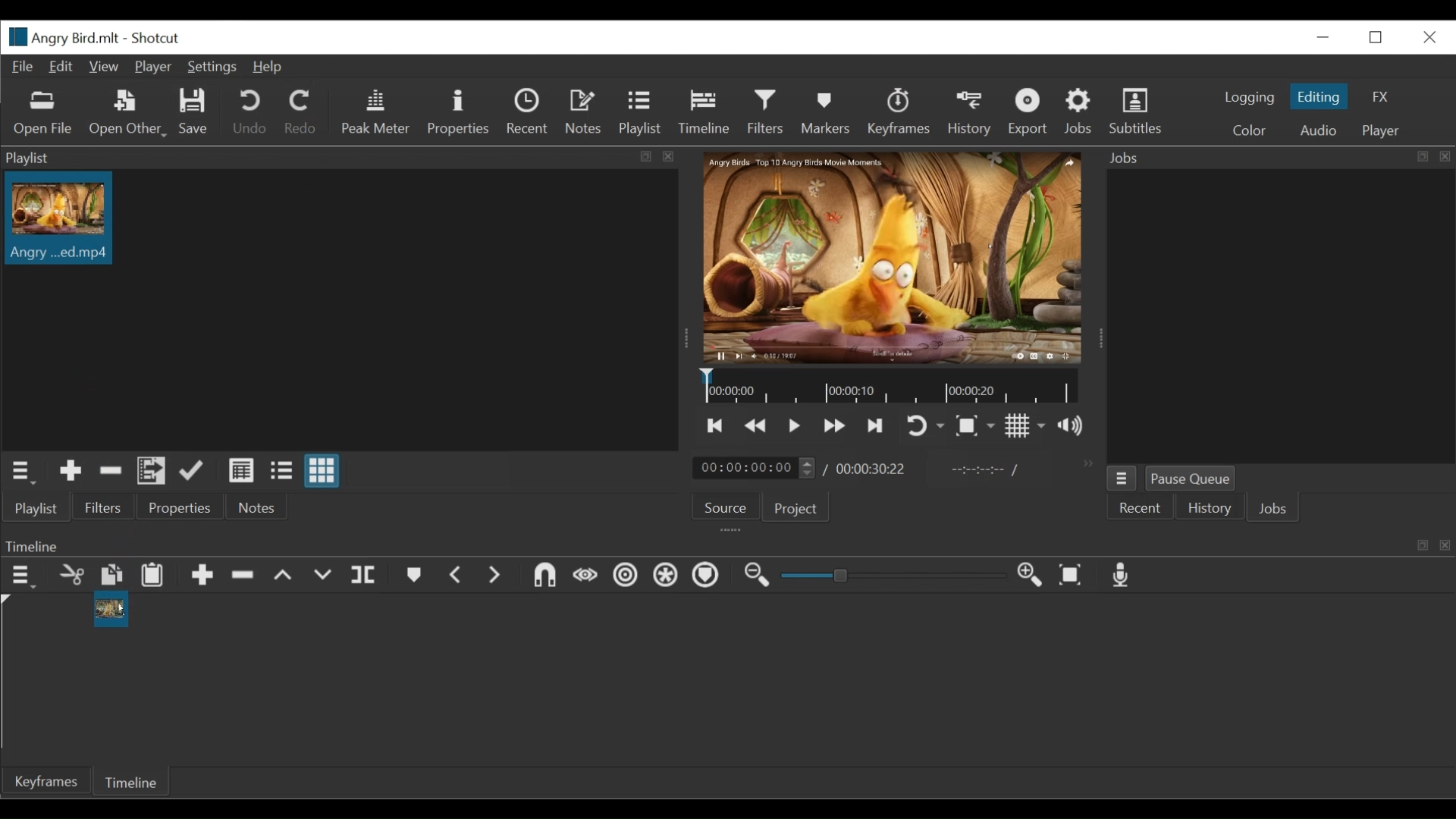 This screenshot has width=1456, height=819. Describe the element at coordinates (970, 113) in the screenshot. I see `History` at that location.